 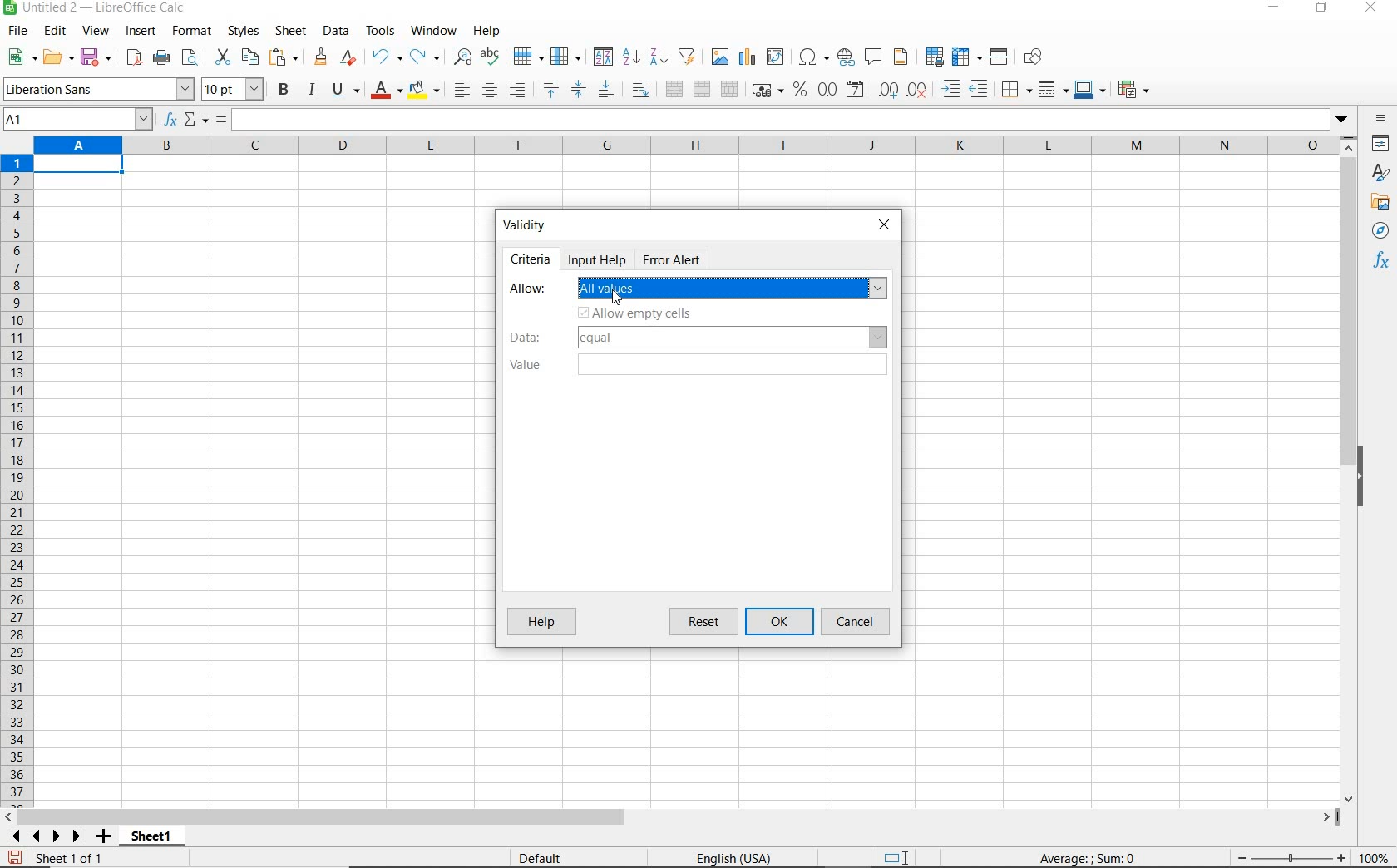 I want to click on navigator, so click(x=1383, y=234).